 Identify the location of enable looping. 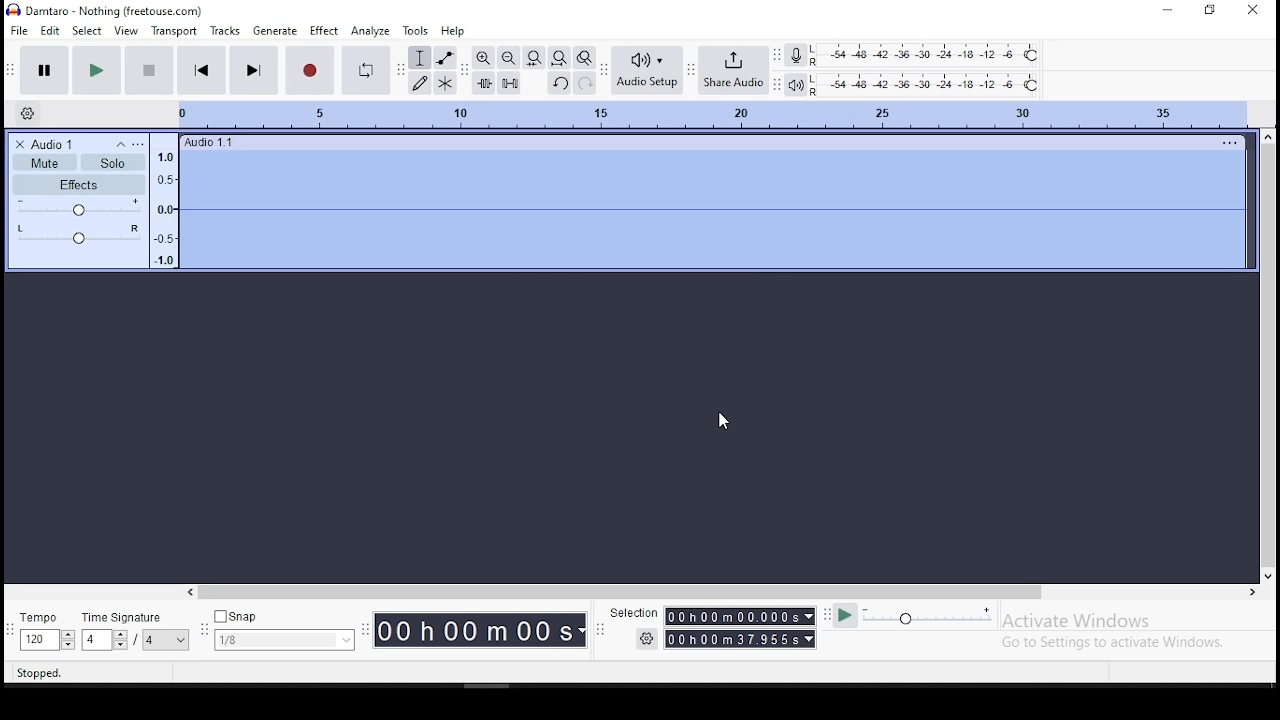
(367, 70).